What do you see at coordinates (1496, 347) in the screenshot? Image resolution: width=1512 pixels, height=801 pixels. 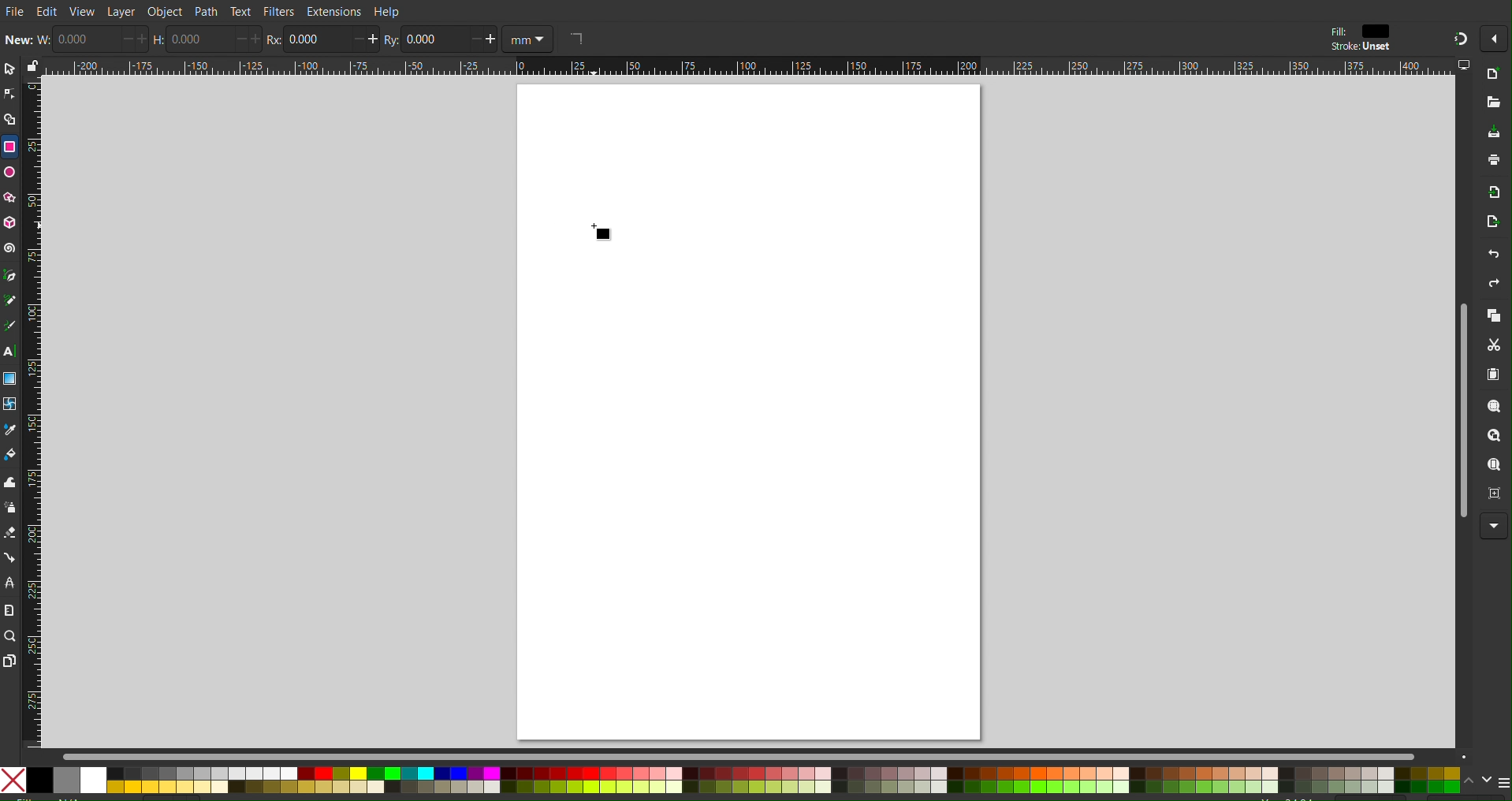 I see `Cut` at bounding box center [1496, 347].